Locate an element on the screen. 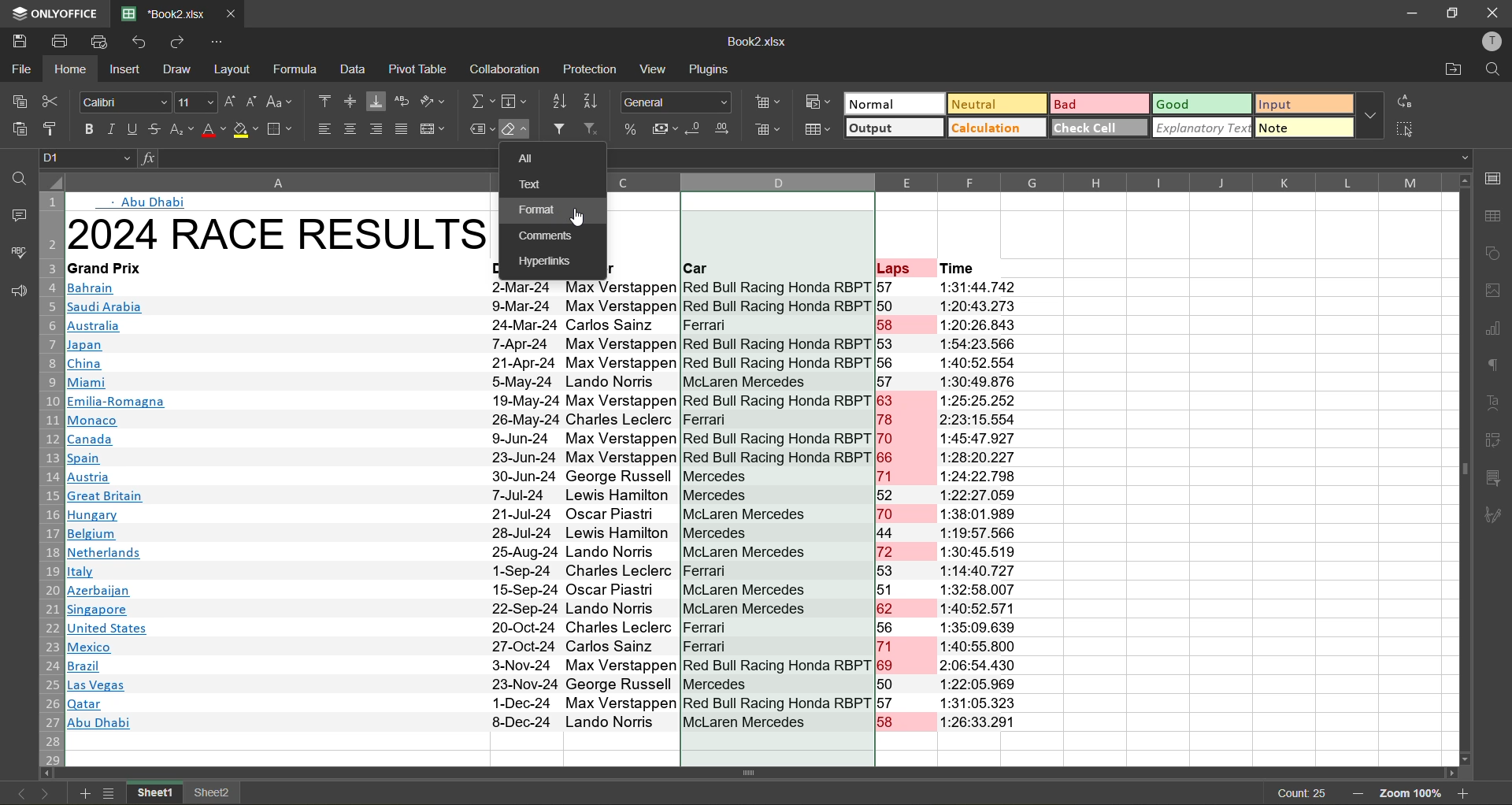 This screenshot has width=1512, height=805. Las Vegas 23-Nov-24 George Russell Mercedes 50 1:22:05.969 is located at coordinates (543, 687).